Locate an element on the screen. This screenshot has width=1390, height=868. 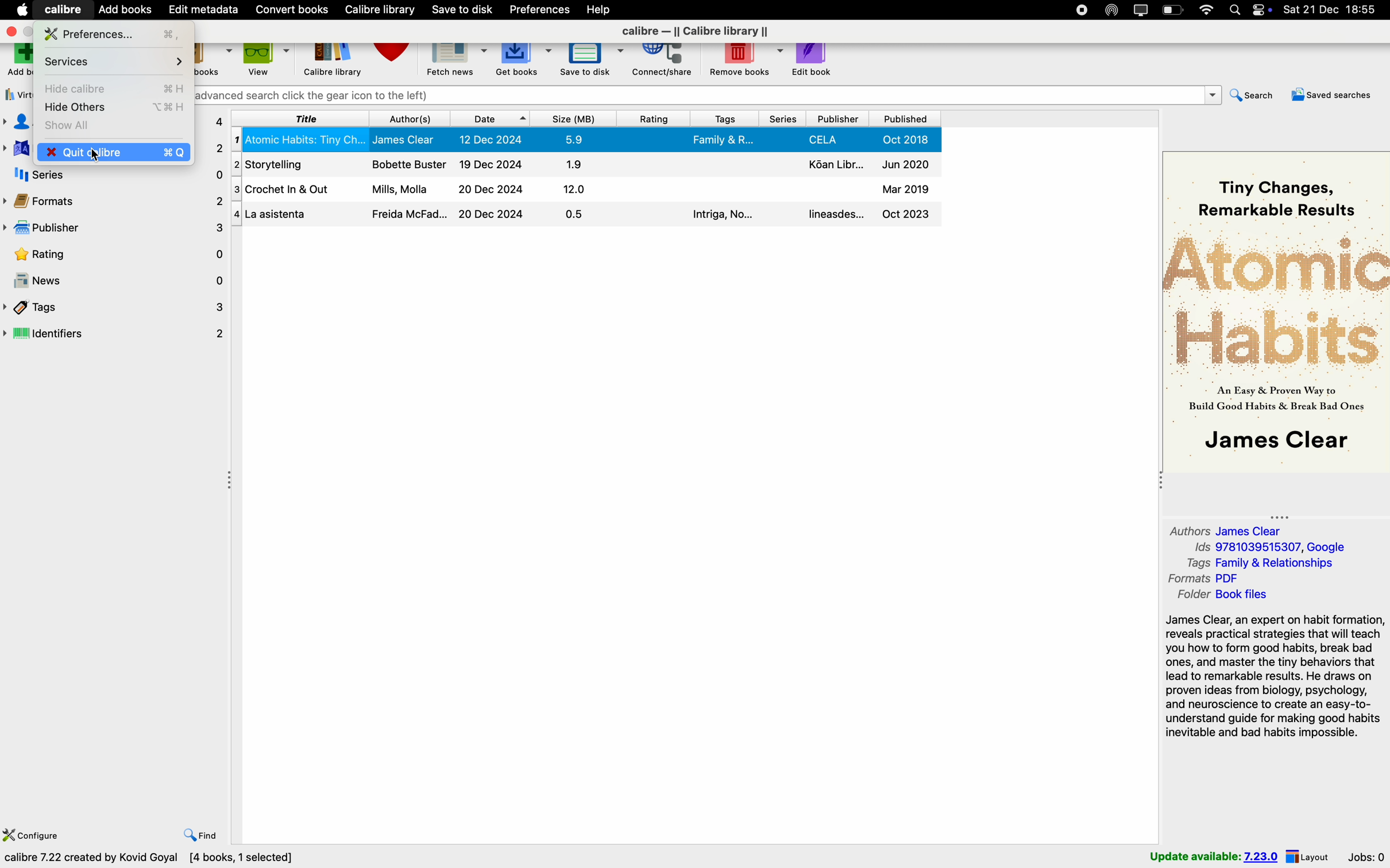
Airdrop is located at coordinates (1112, 10).